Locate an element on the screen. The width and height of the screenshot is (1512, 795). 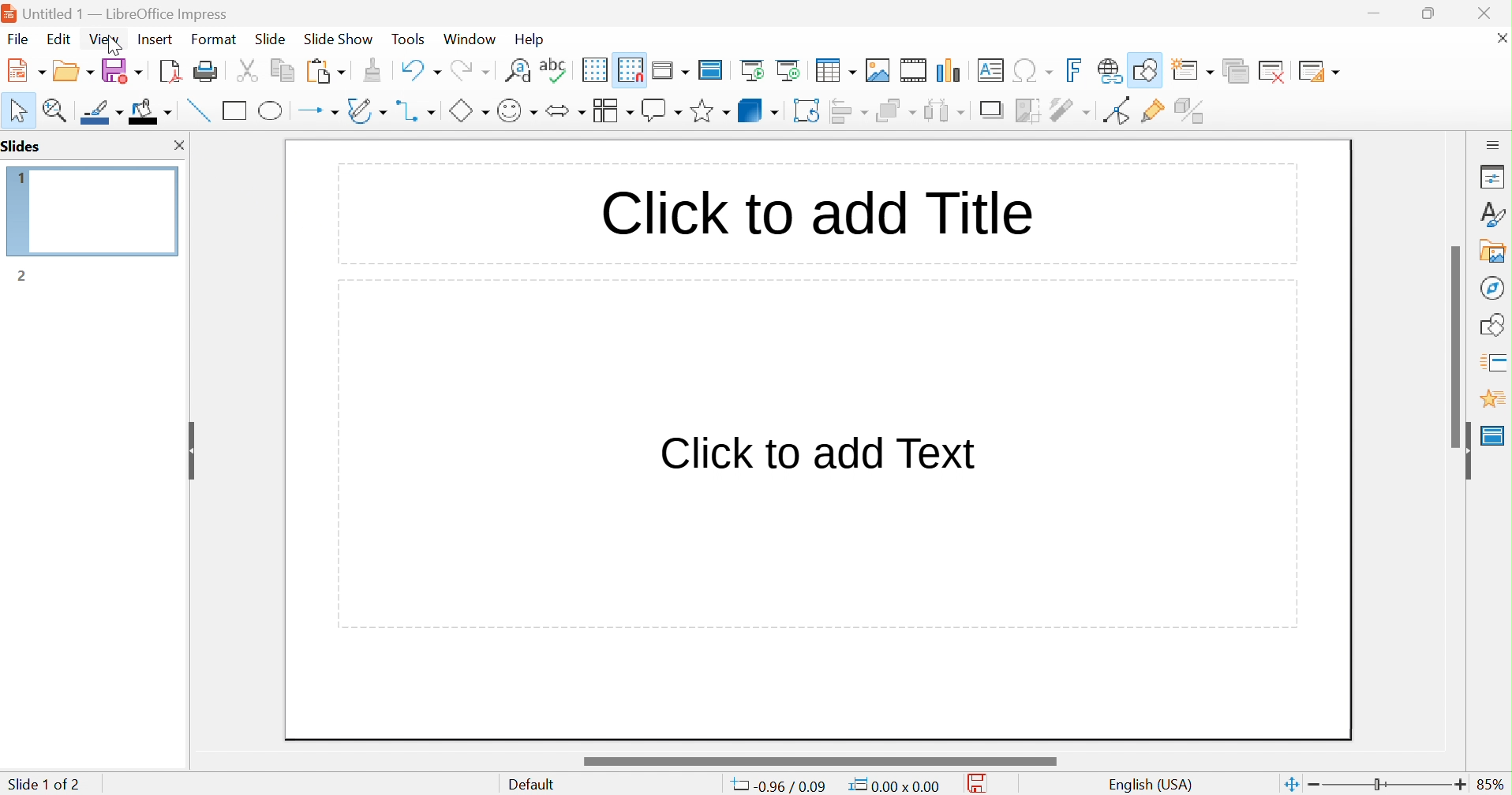
open is located at coordinates (75, 69).